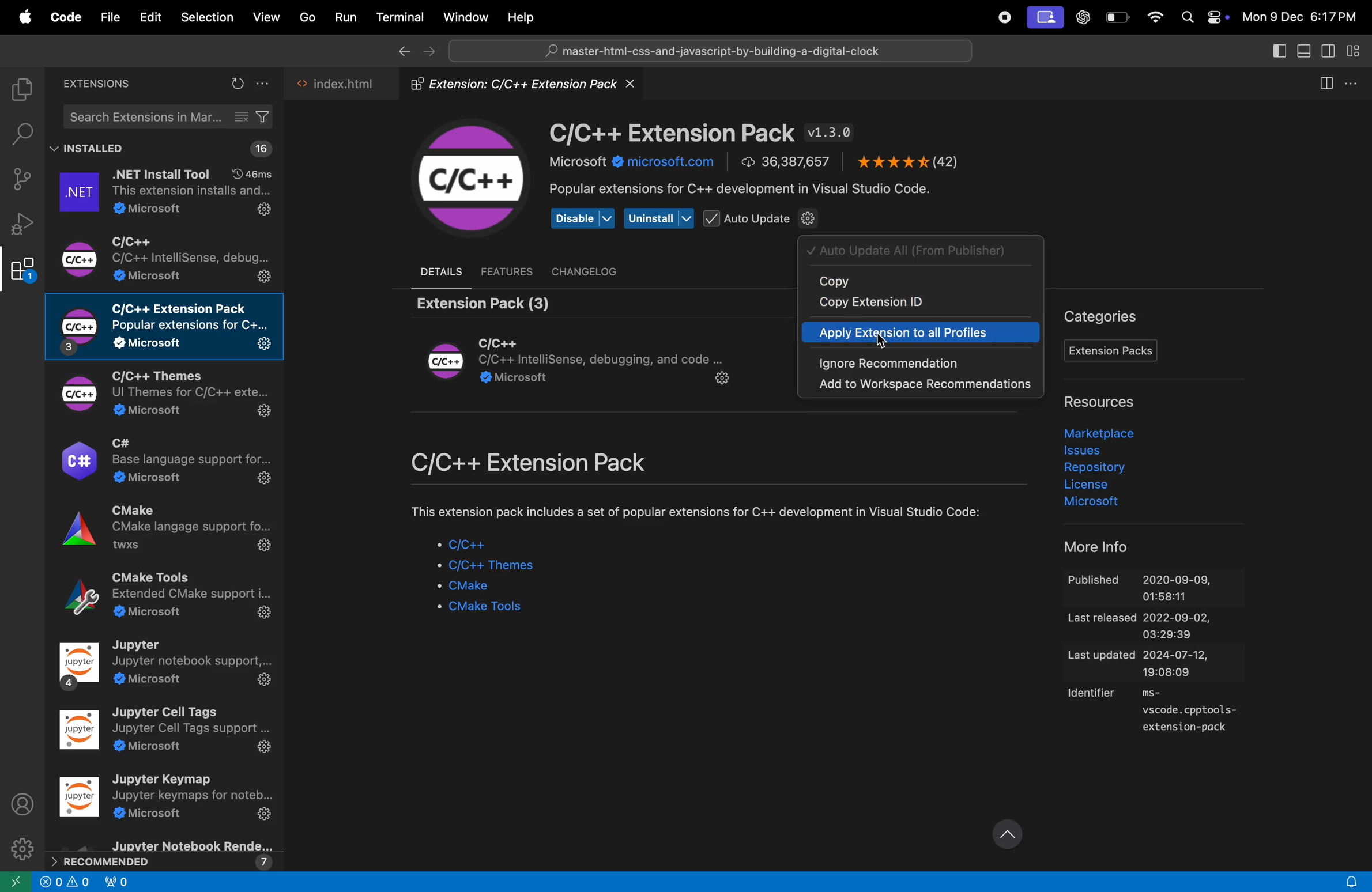  Describe the element at coordinates (1101, 504) in the screenshot. I see `microsoft` at that location.